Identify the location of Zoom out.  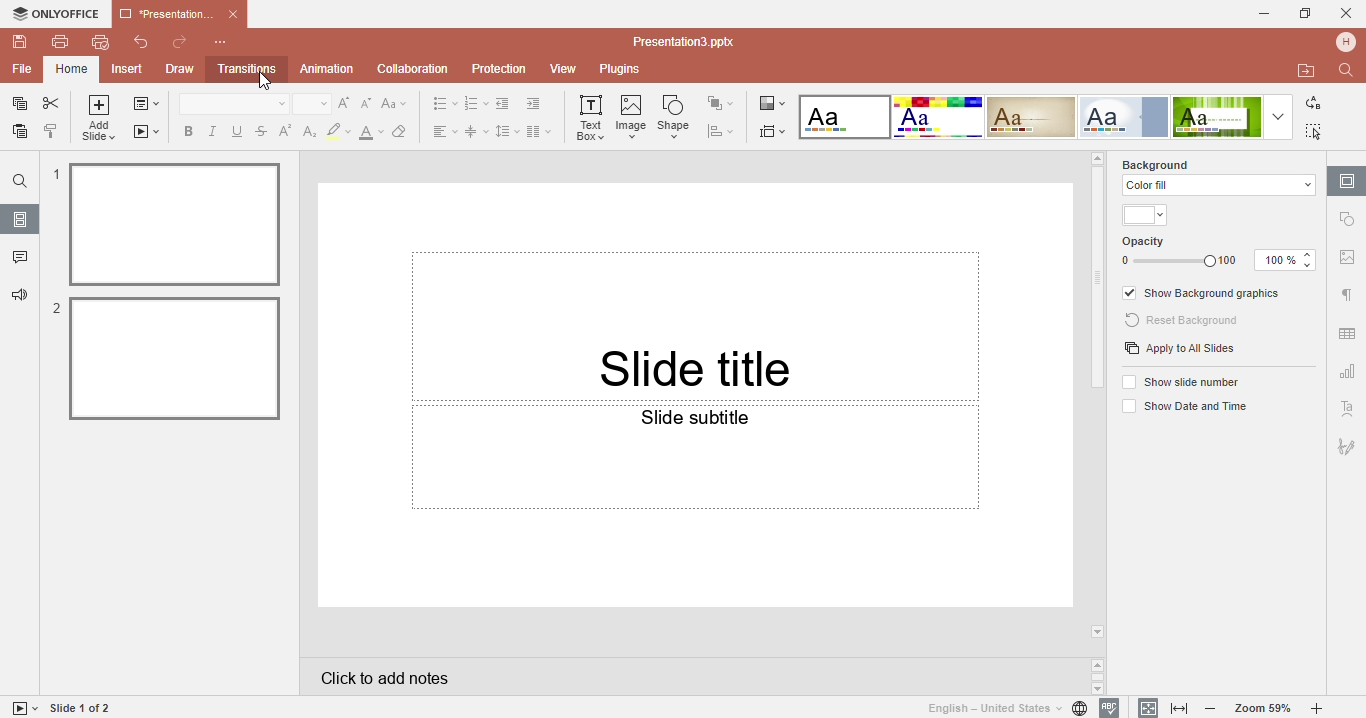
(1215, 710).